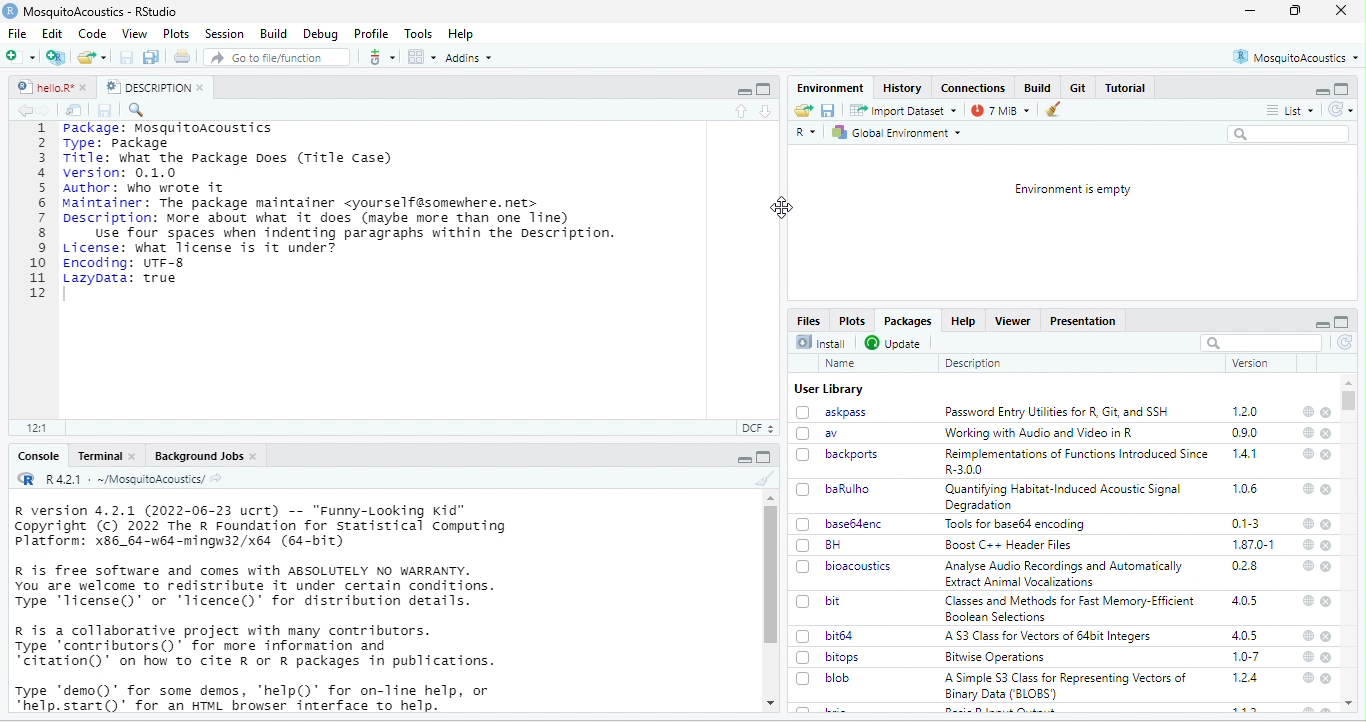 Image resolution: width=1366 pixels, height=722 pixels. I want to click on help, so click(1306, 679).